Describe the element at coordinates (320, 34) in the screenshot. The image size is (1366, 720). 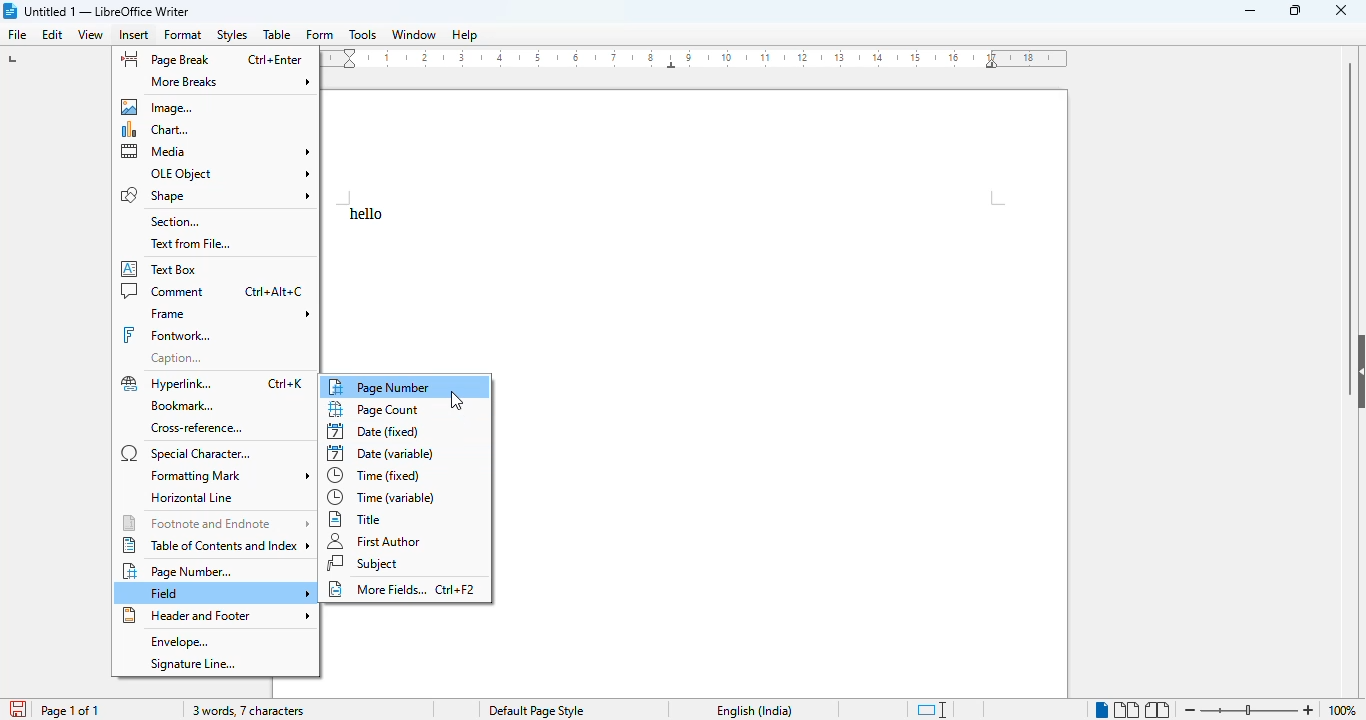
I see `form` at that location.